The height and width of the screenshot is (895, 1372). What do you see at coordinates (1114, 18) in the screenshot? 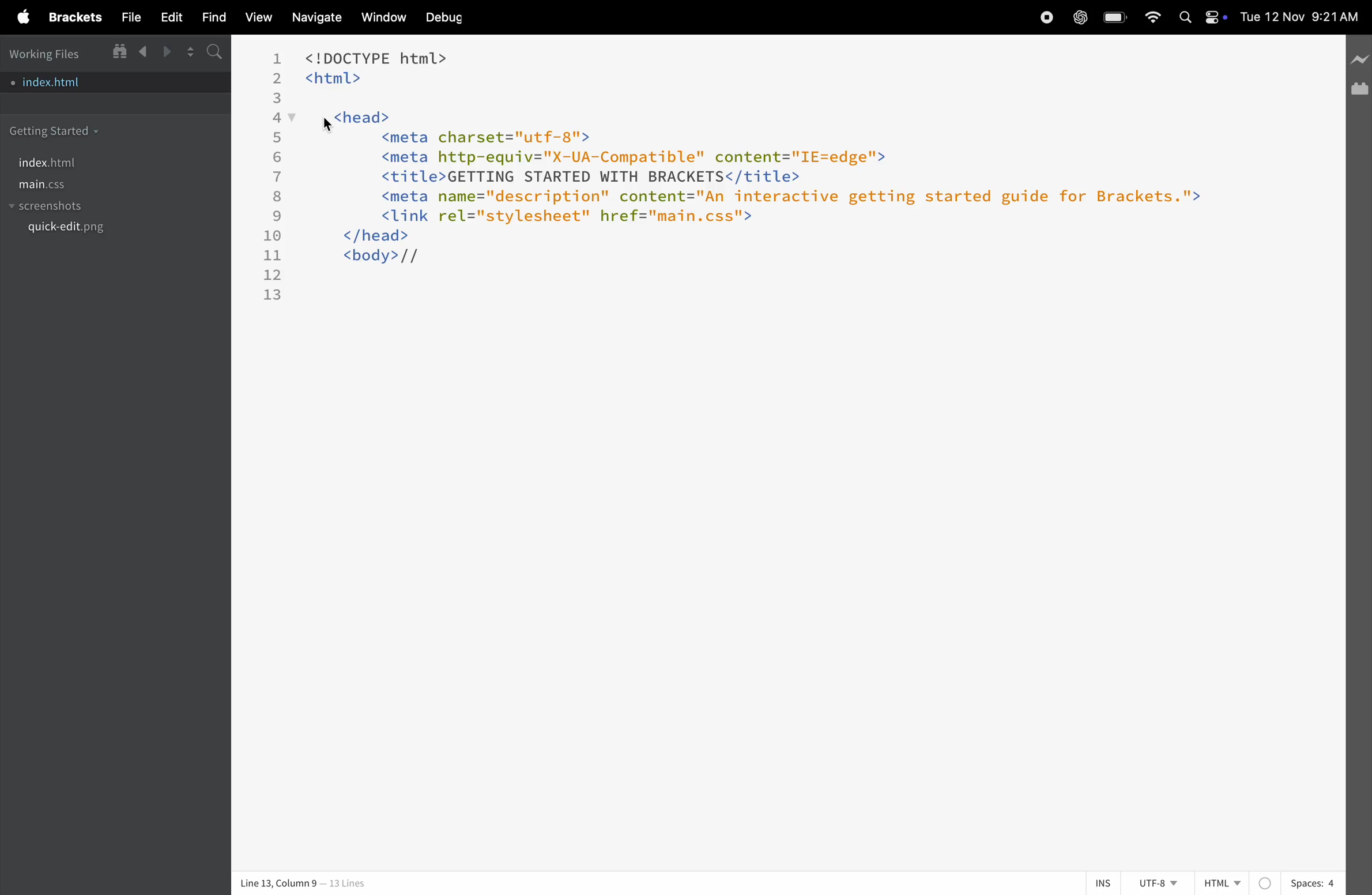
I see `battery` at bounding box center [1114, 18].